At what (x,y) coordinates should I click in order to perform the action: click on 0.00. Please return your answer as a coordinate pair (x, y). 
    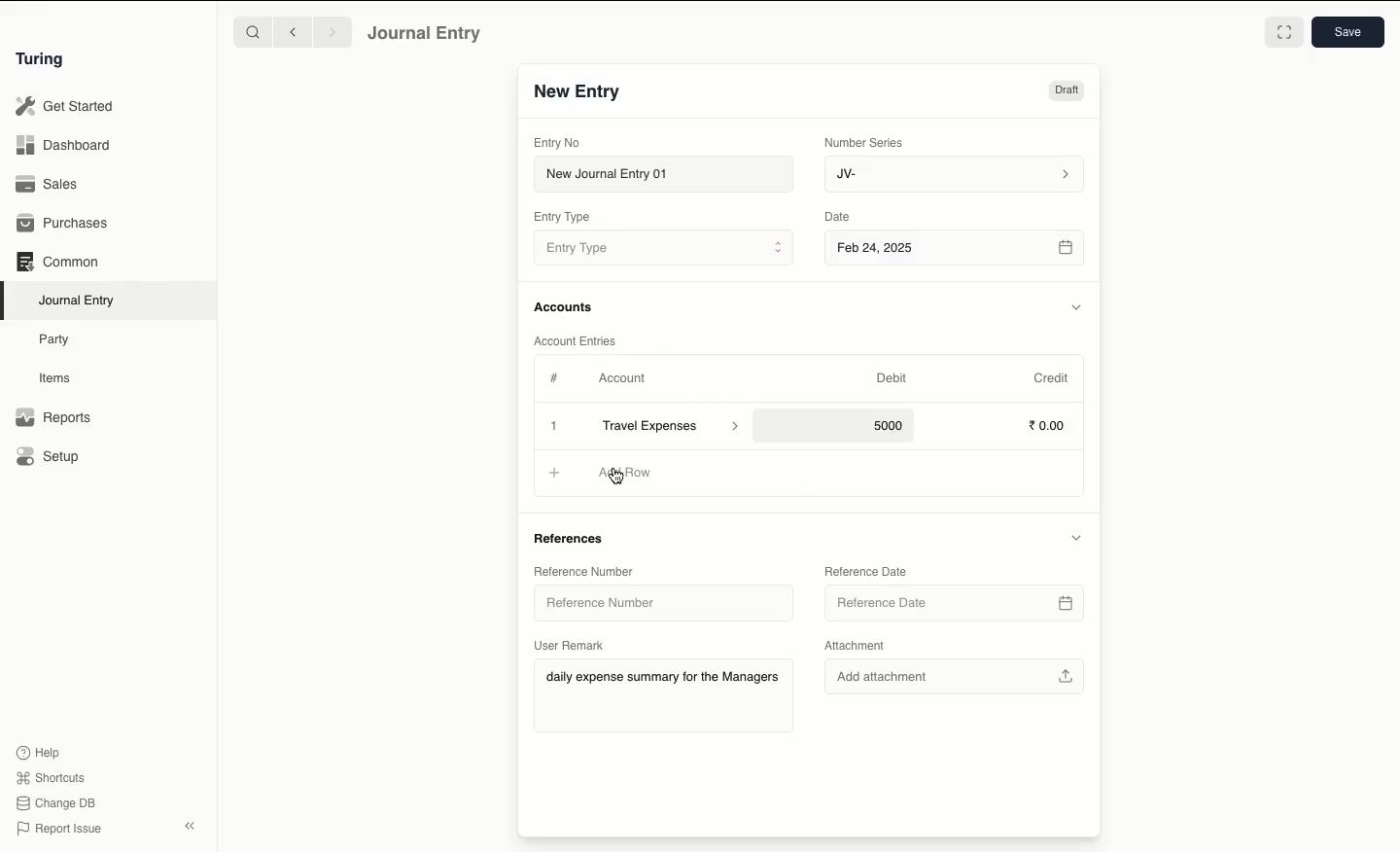
    Looking at the image, I should click on (1048, 423).